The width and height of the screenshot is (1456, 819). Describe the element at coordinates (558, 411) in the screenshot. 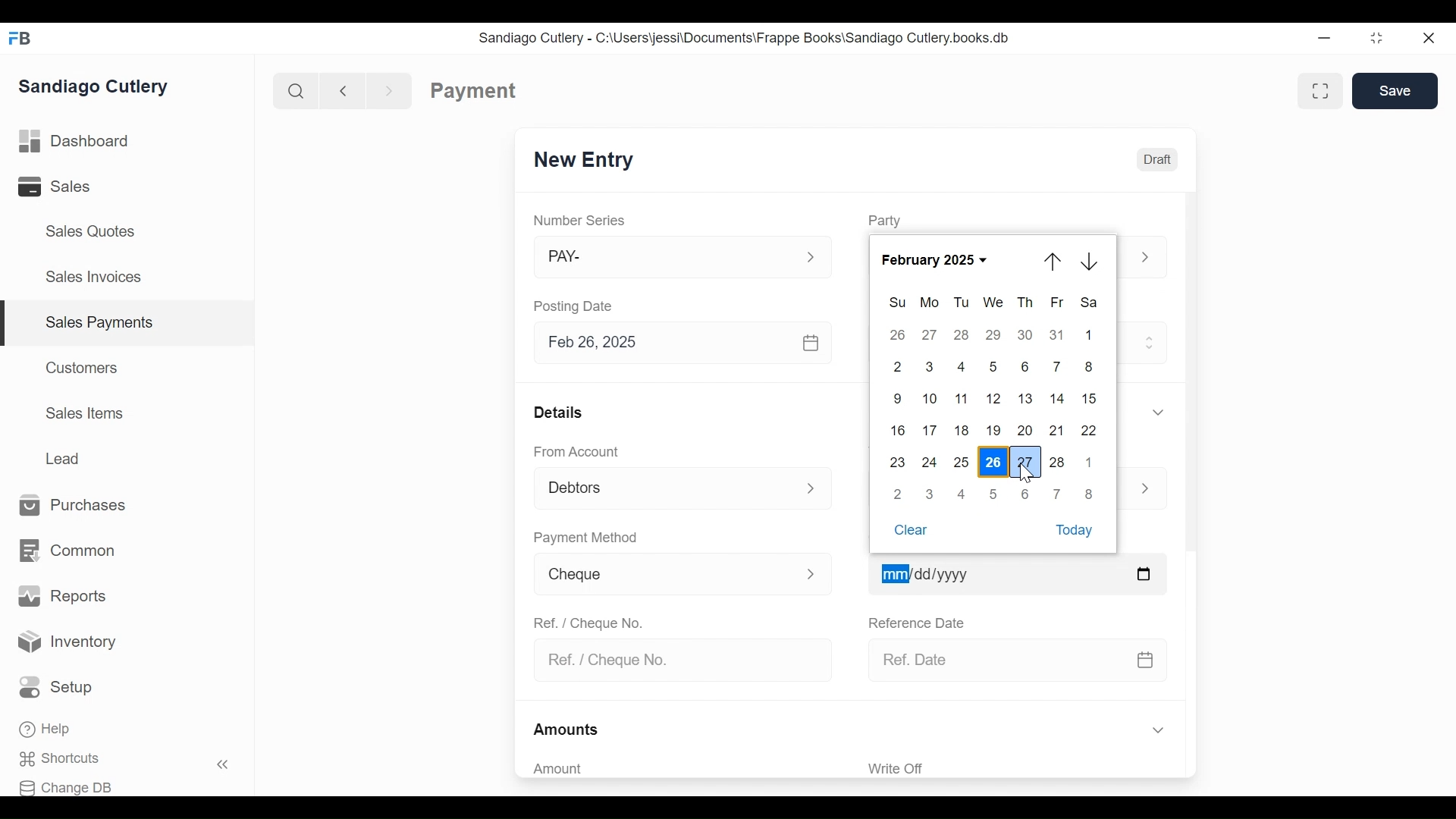

I see `Details` at that location.